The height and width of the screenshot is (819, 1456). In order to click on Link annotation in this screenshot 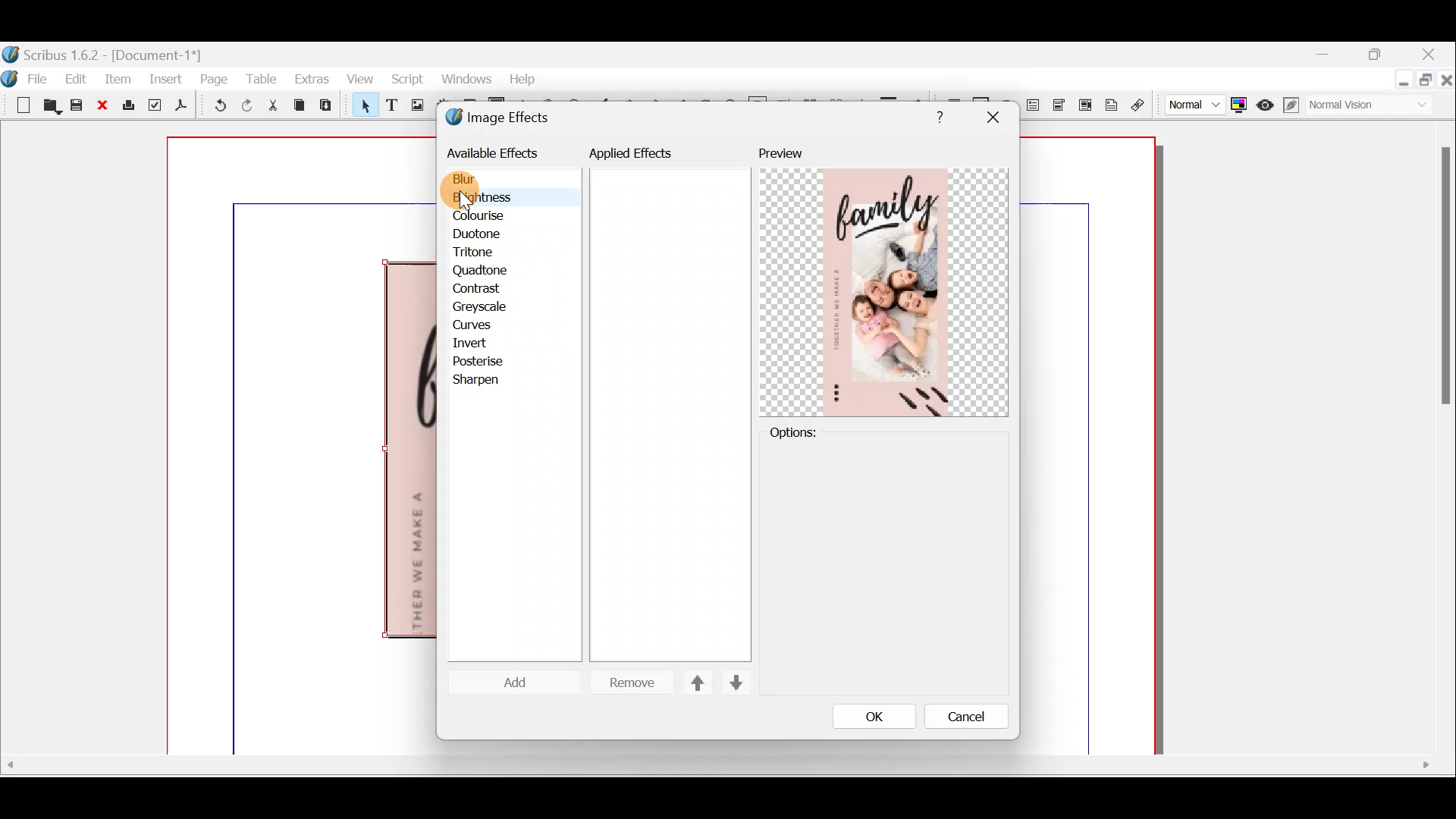, I will do `click(1140, 105)`.